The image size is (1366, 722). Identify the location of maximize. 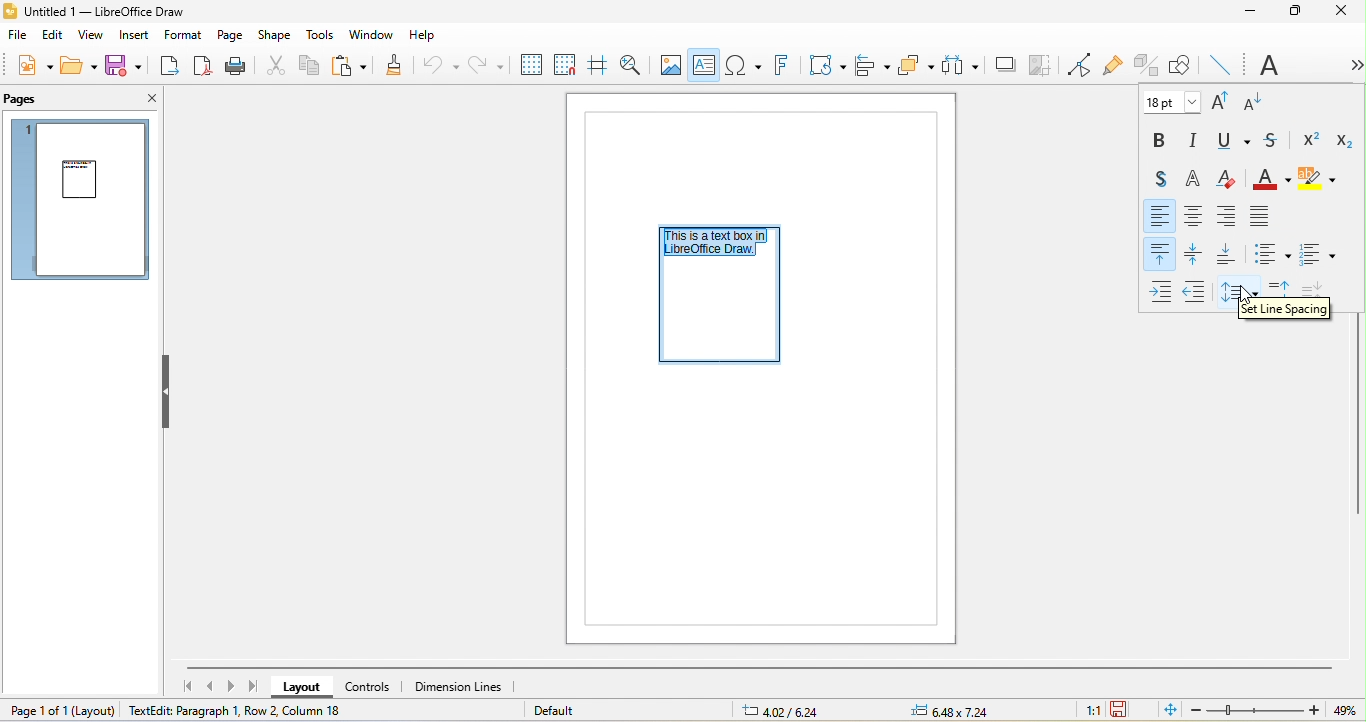
(1298, 12).